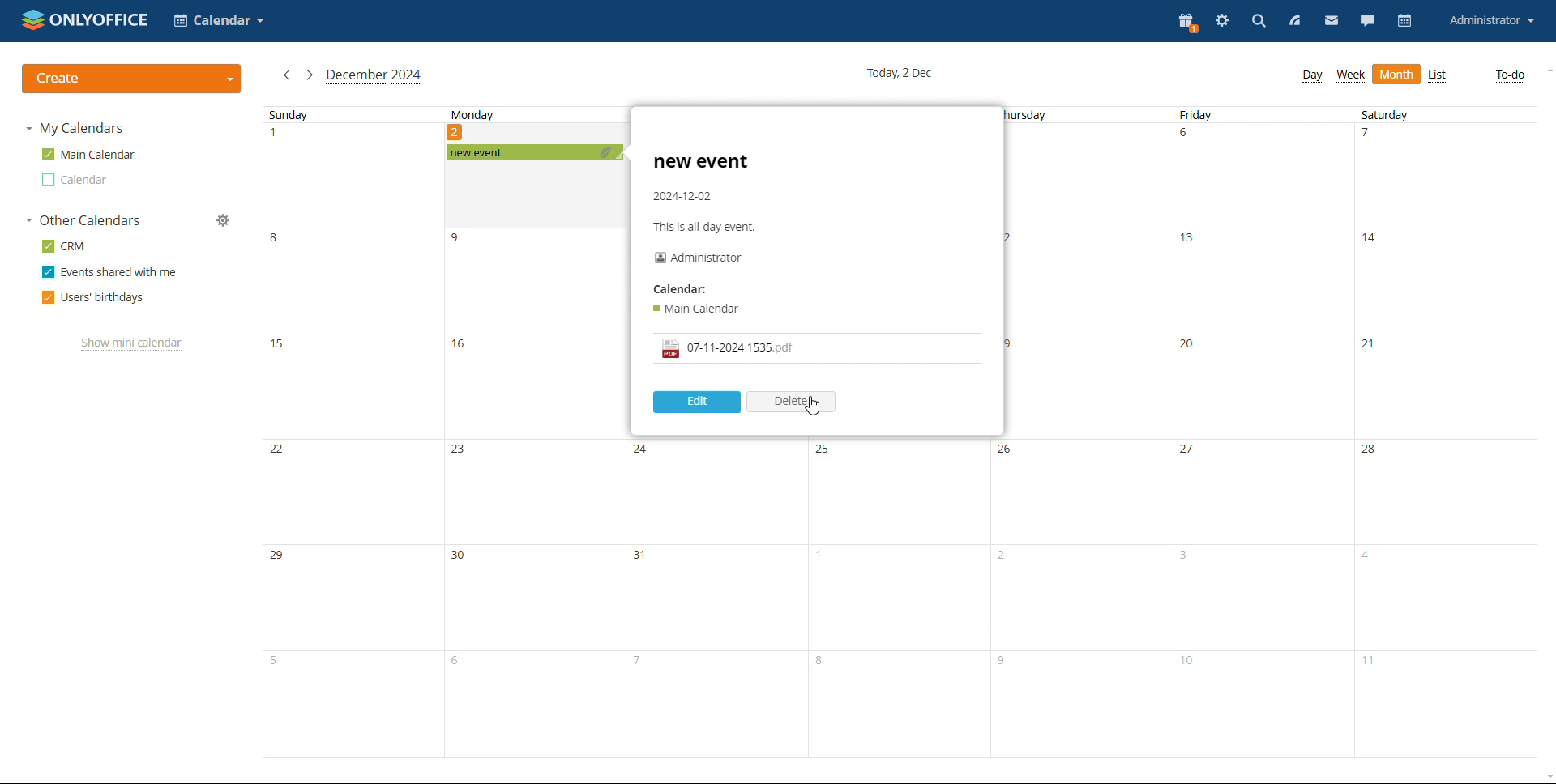 Image resolution: width=1556 pixels, height=784 pixels. Describe the element at coordinates (1375, 245) in the screenshot. I see `14` at that location.